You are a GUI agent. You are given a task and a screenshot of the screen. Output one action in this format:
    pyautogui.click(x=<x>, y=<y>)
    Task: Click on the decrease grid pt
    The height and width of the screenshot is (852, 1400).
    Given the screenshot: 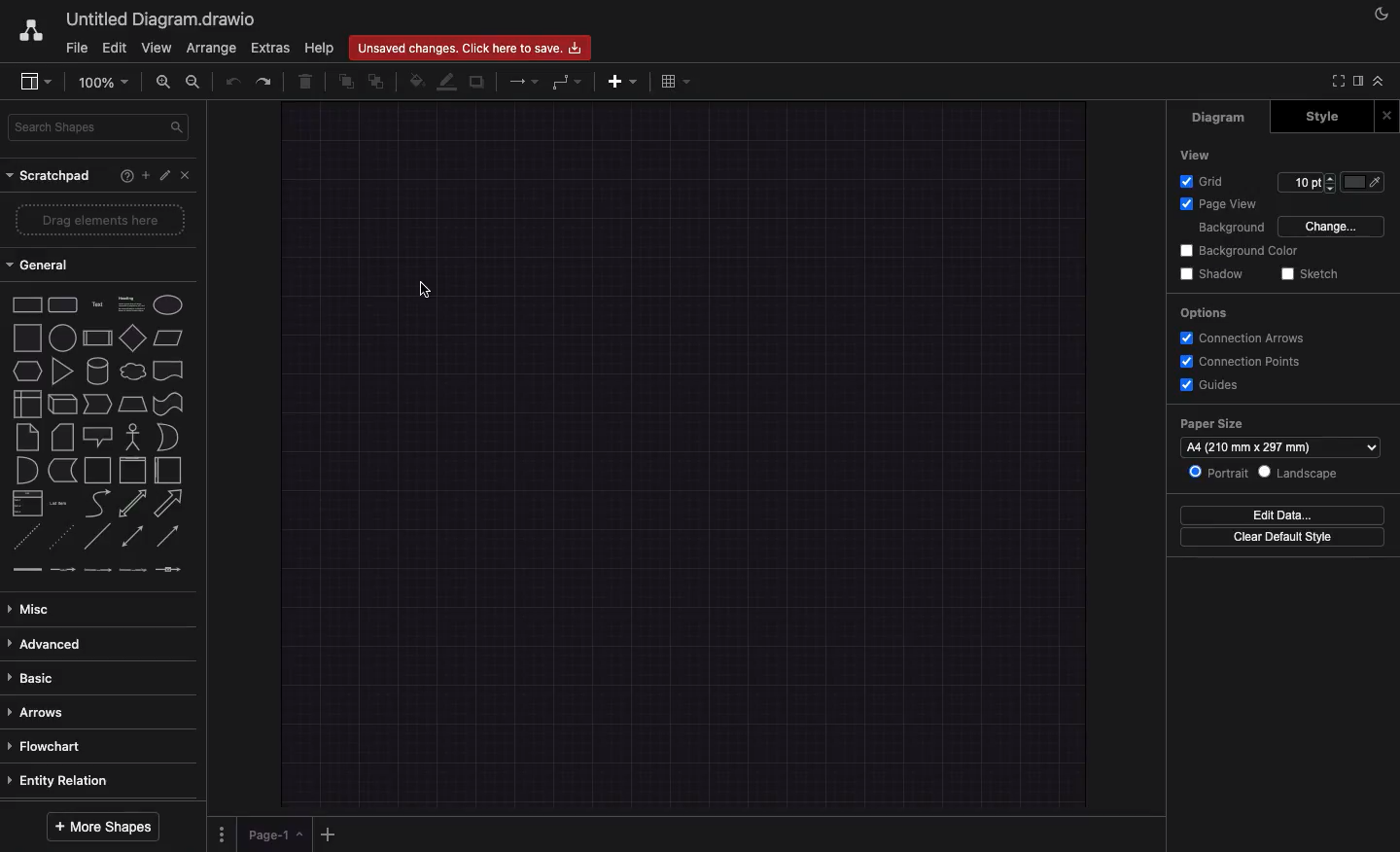 What is the action you would take?
    pyautogui.click(x=1332, y=191)
    